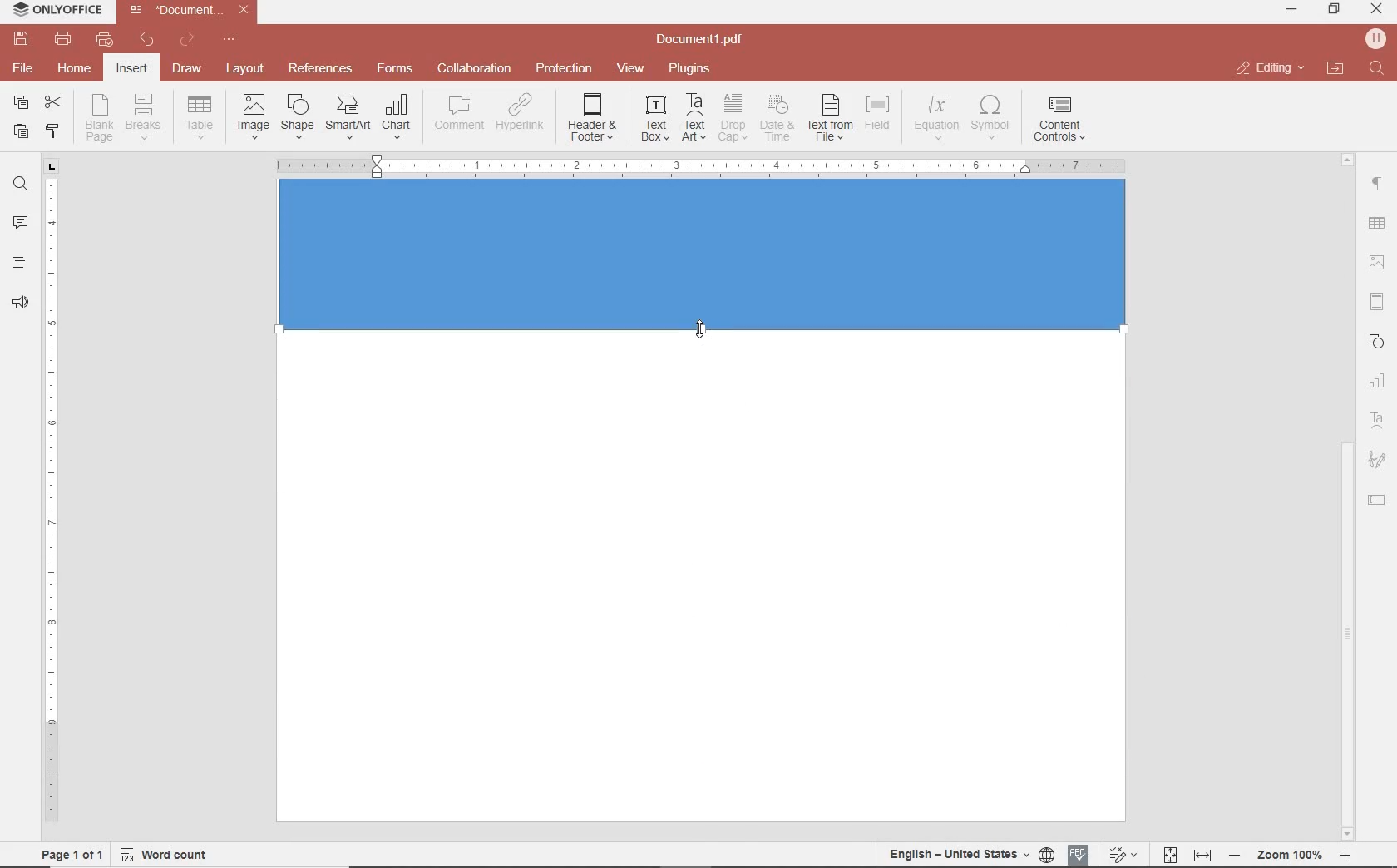 This screenshot has height=868, width=1397. I want to click on word count, so click(170, 855).